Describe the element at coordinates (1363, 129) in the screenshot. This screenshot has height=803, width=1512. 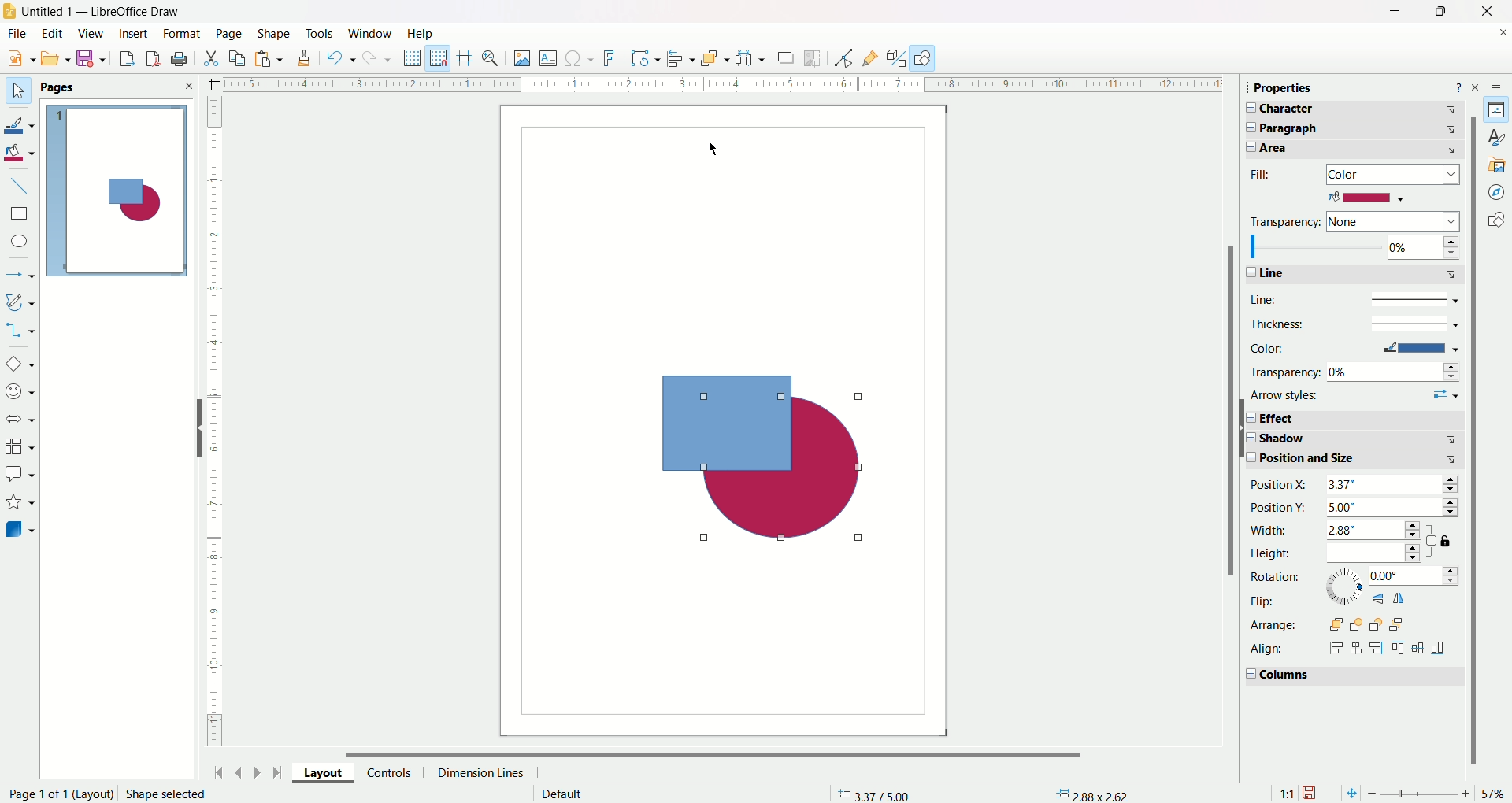
I see `paragraph` at that location.